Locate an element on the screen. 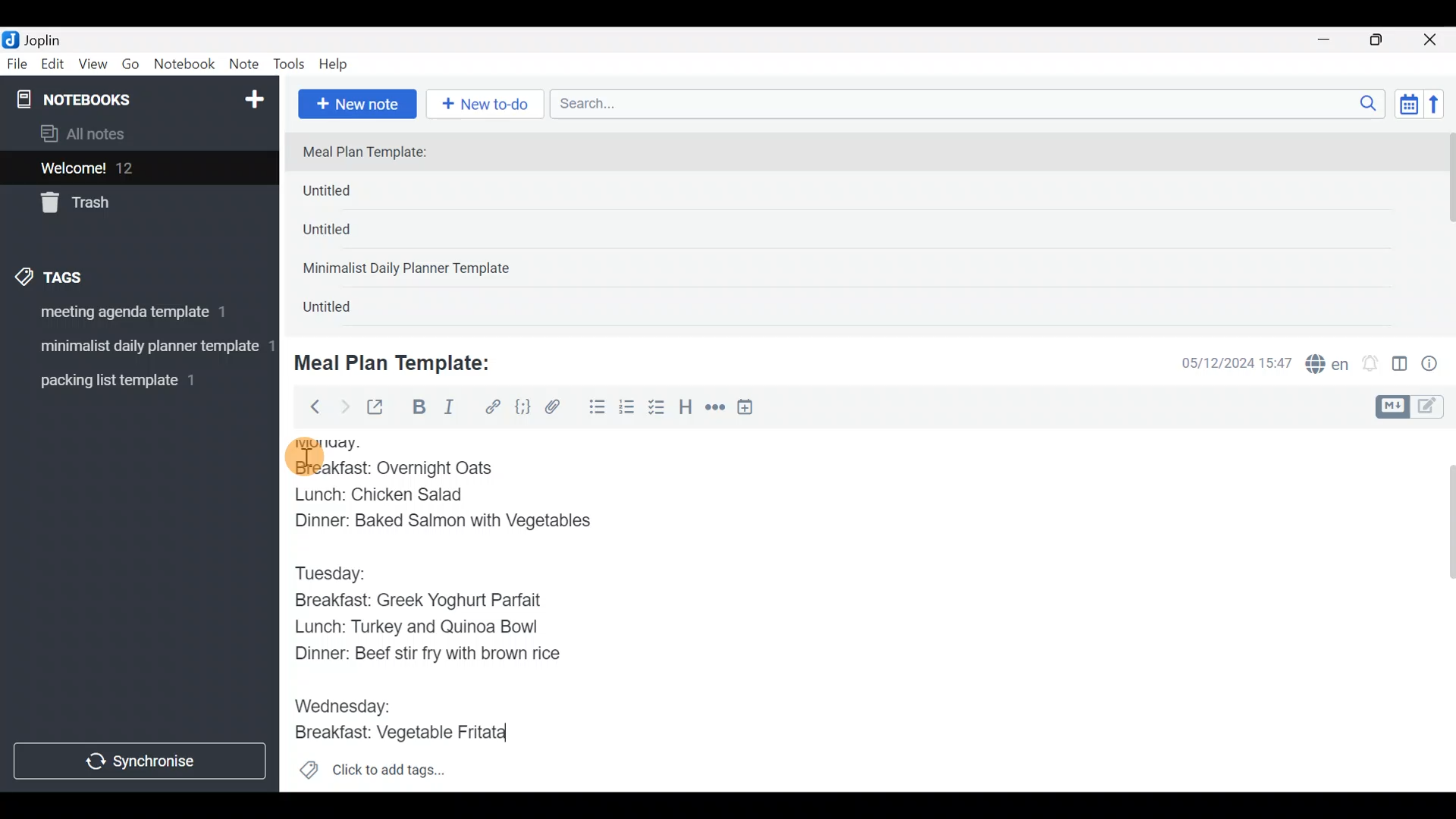  Minimize is located at coordinates (1332, 38).